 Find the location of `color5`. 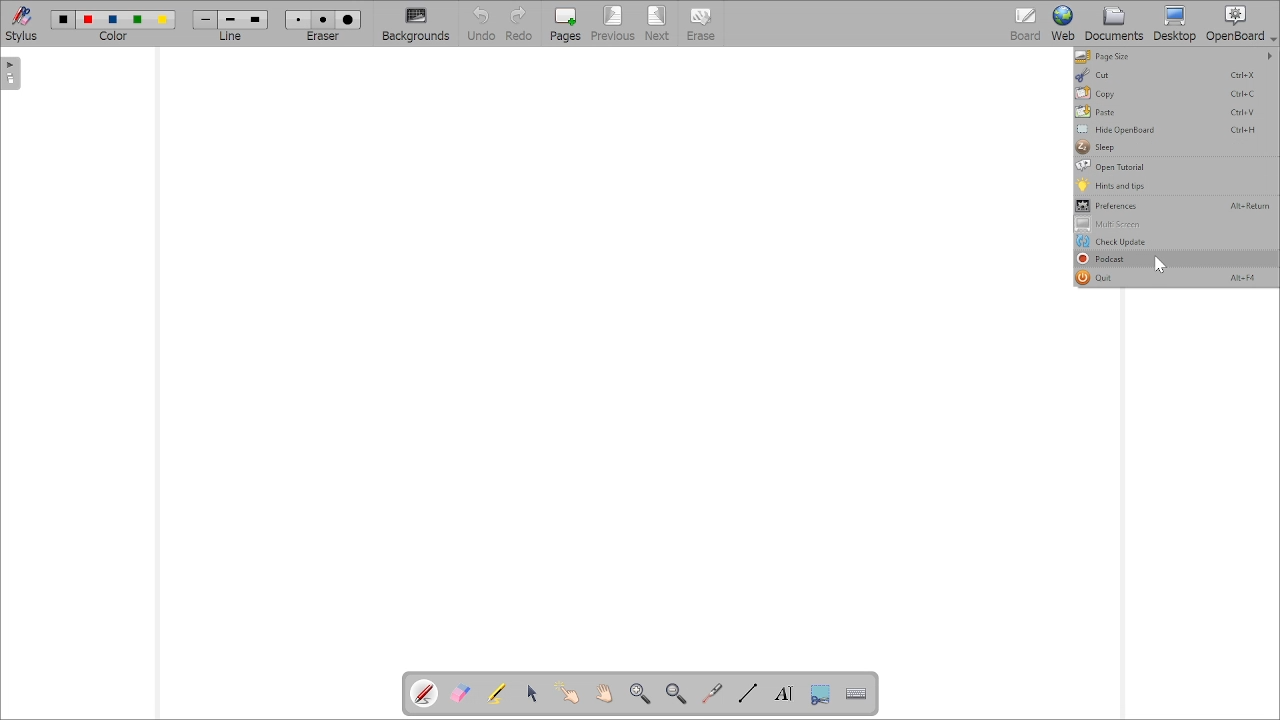

color5 is located at coordinates (163, 20).